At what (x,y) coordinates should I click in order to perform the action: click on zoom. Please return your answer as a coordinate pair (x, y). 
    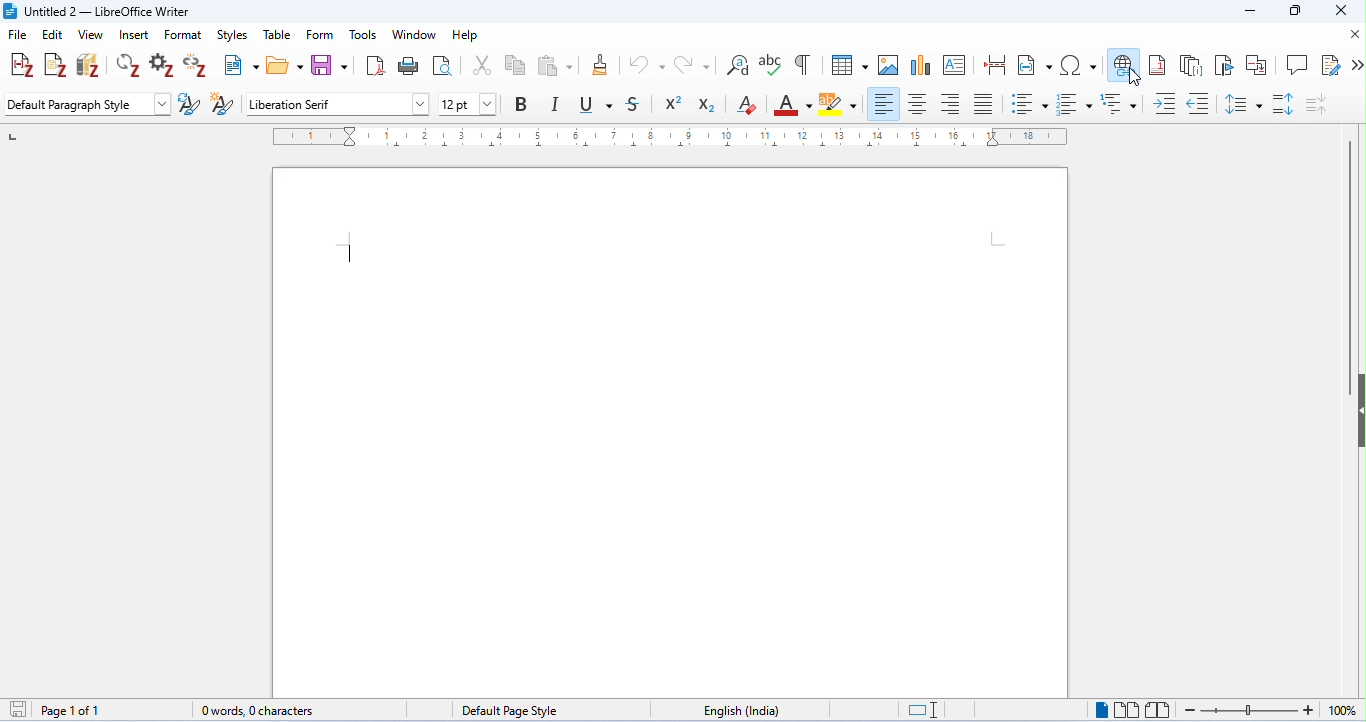
    Looking at the image, I should click on (1270, 710).